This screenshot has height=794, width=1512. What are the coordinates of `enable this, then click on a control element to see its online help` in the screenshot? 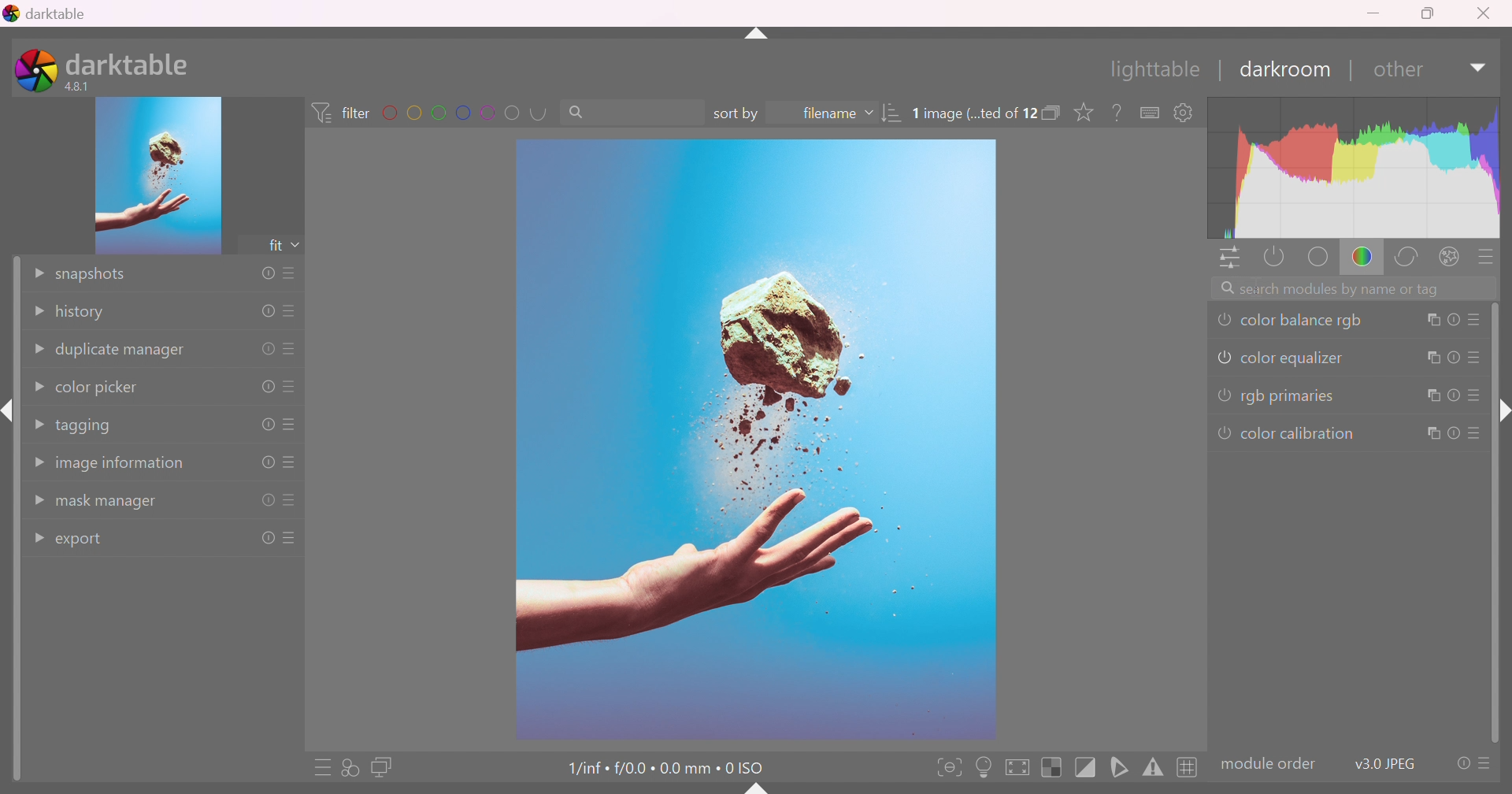 It's located at (1117, 112).